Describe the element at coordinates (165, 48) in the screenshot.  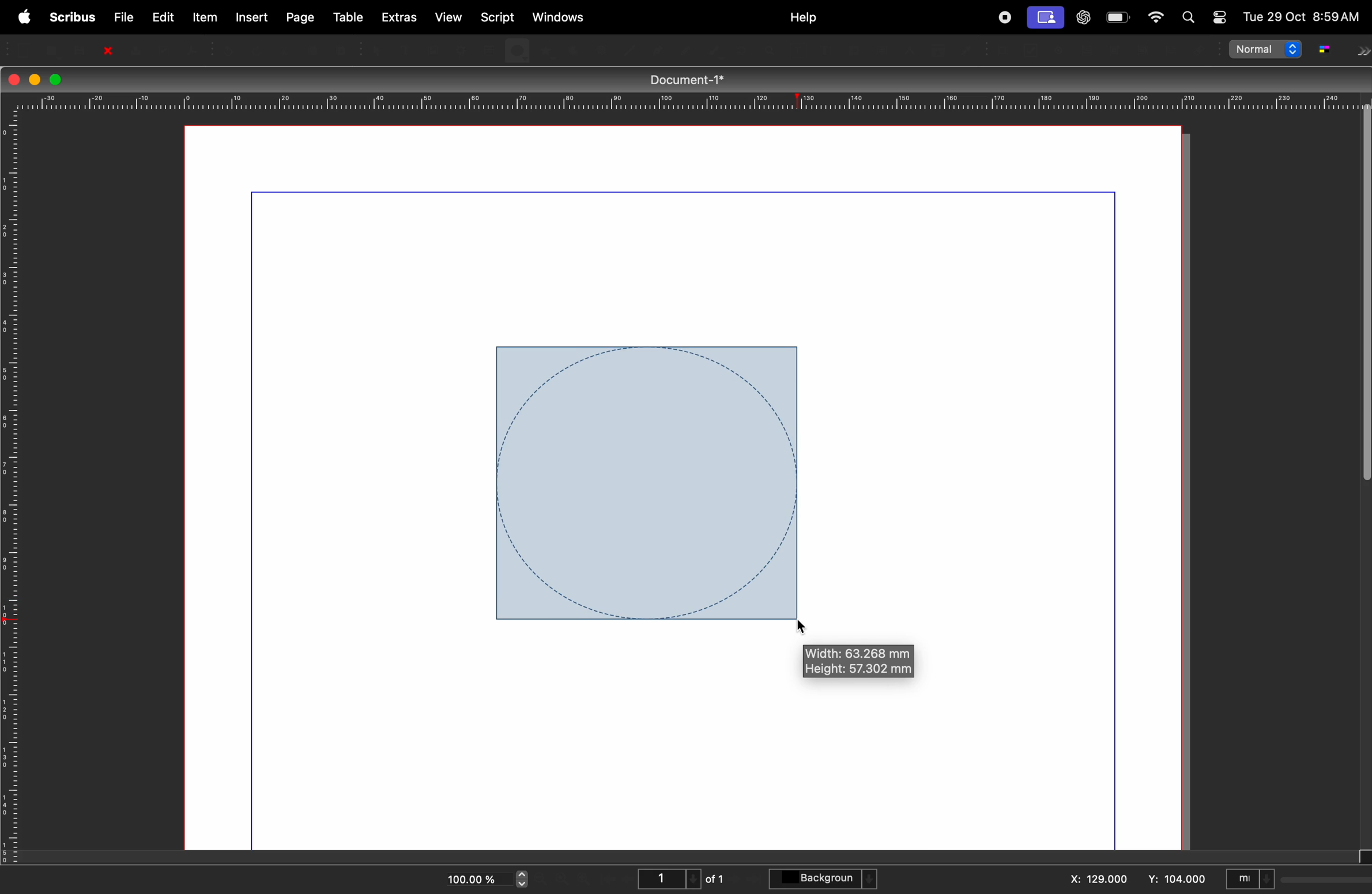
I see `Preflight verifier` at that location.